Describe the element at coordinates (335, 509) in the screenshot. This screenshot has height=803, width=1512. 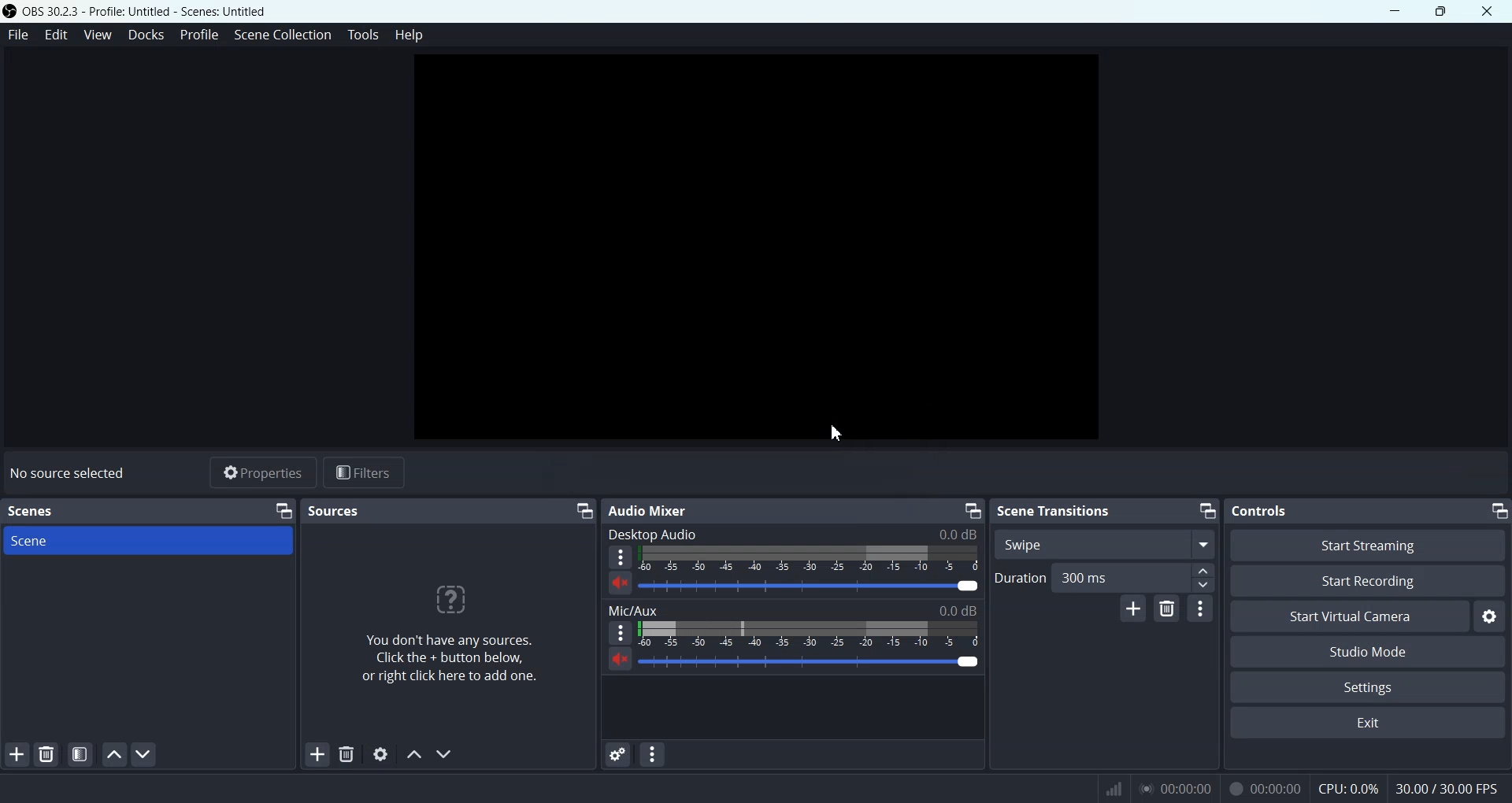
I see `Sources` at that location.